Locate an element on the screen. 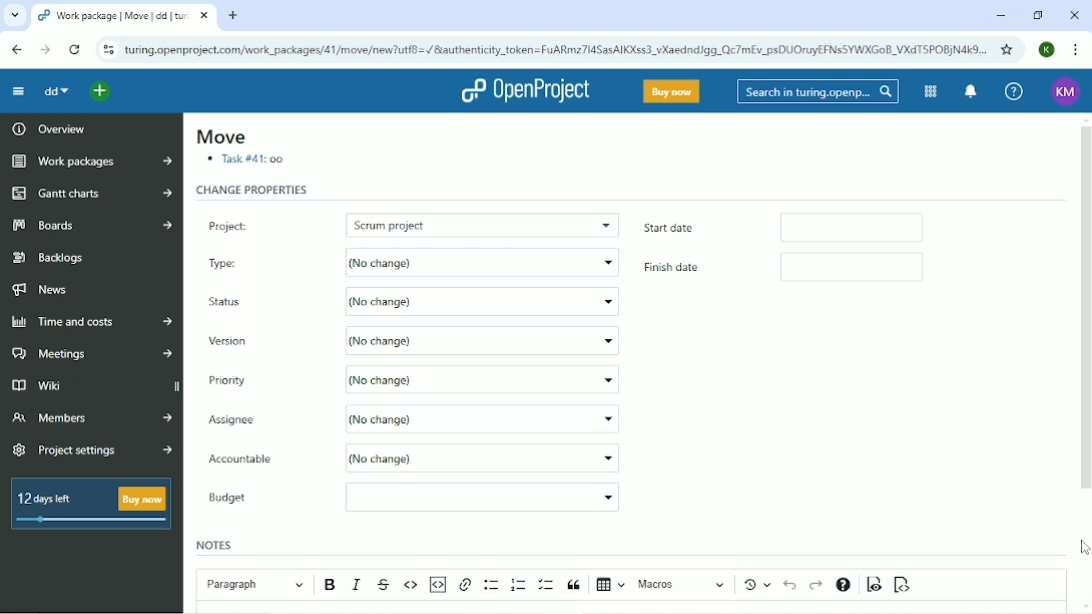 The height and width of the screenshot is (614, 1092). empty box is located at coordinates (870, 266).